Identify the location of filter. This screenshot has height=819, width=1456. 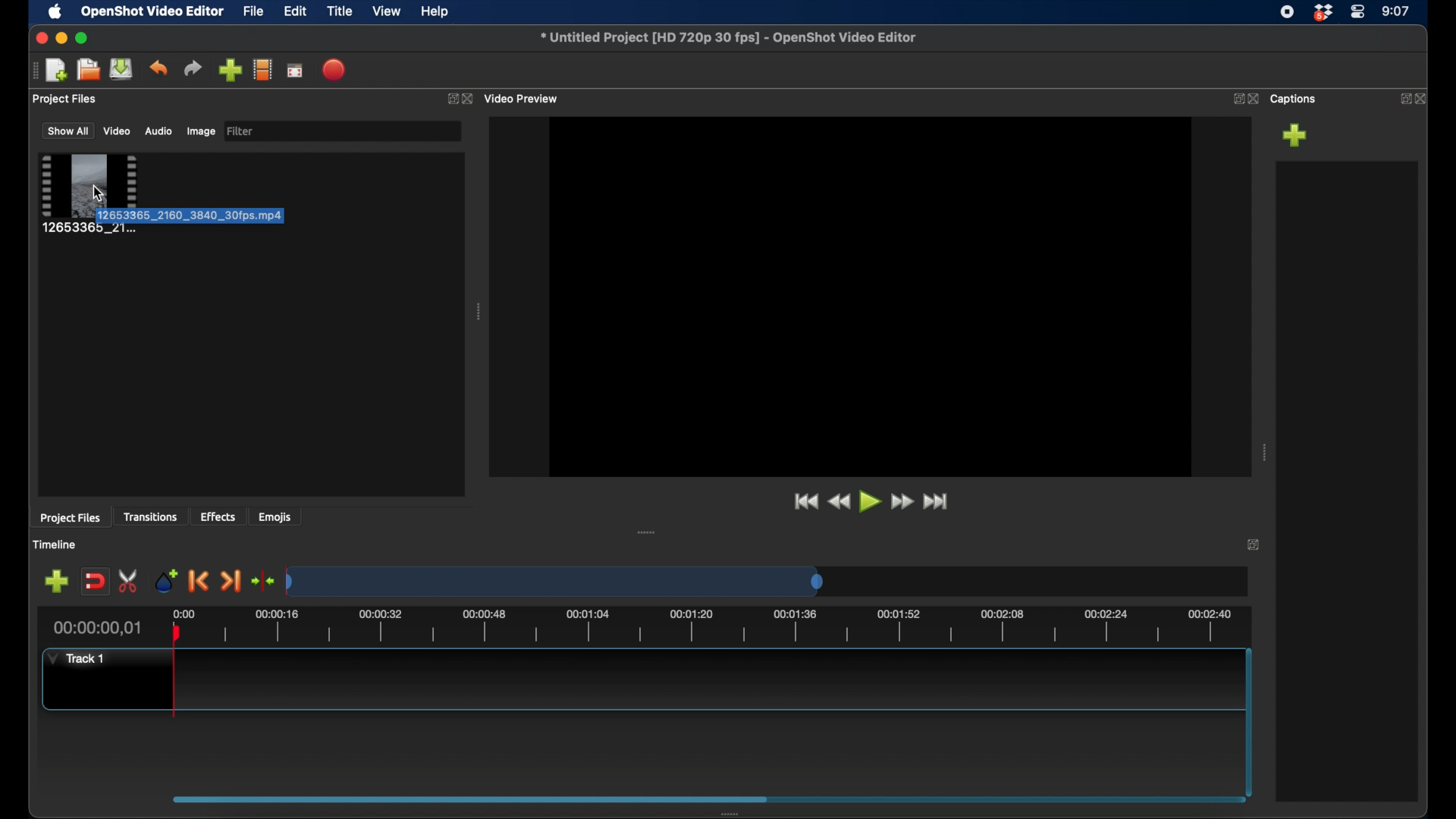
(241, 130).